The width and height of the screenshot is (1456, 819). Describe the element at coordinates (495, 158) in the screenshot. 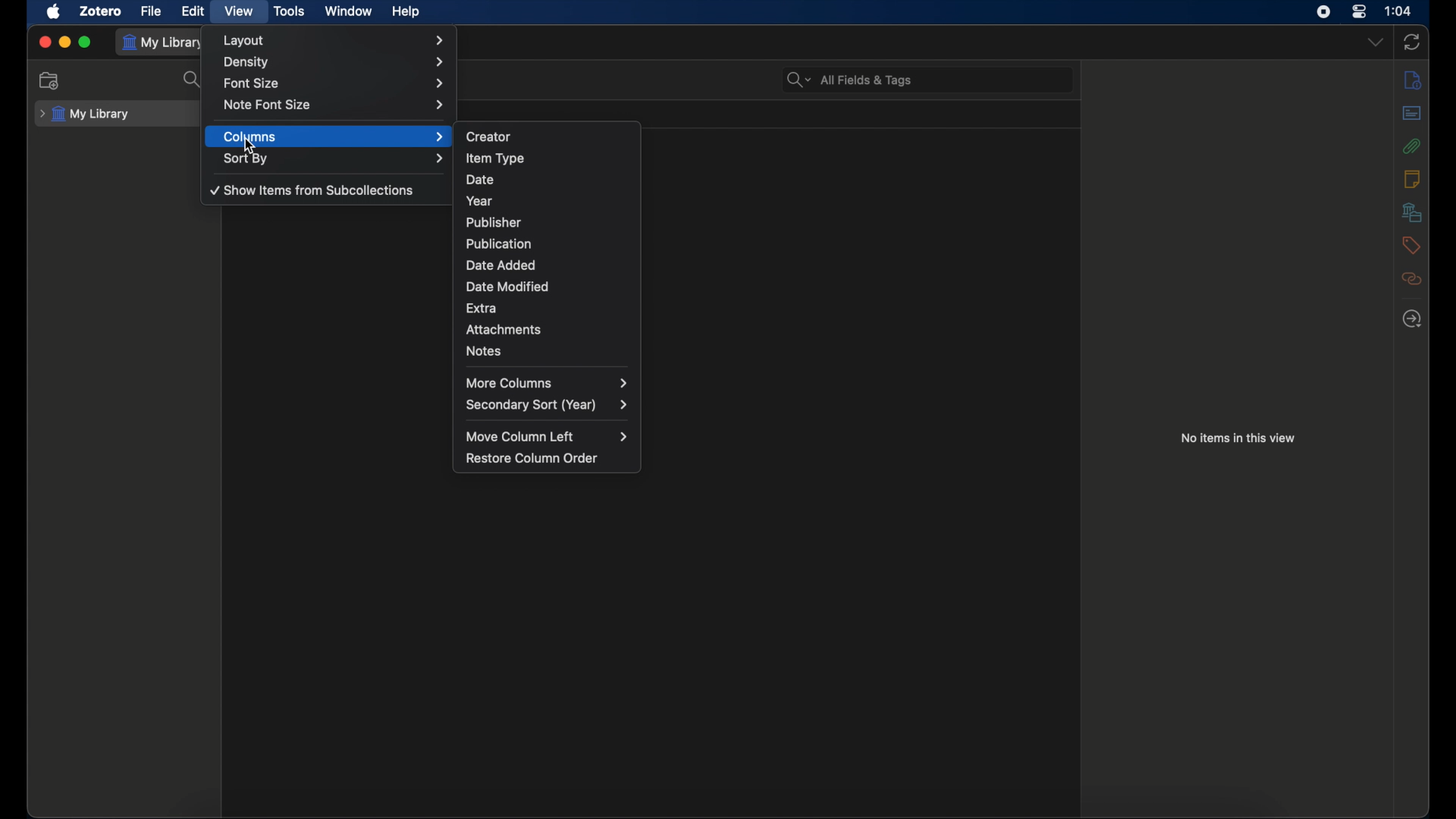

I see `item type` at that location.